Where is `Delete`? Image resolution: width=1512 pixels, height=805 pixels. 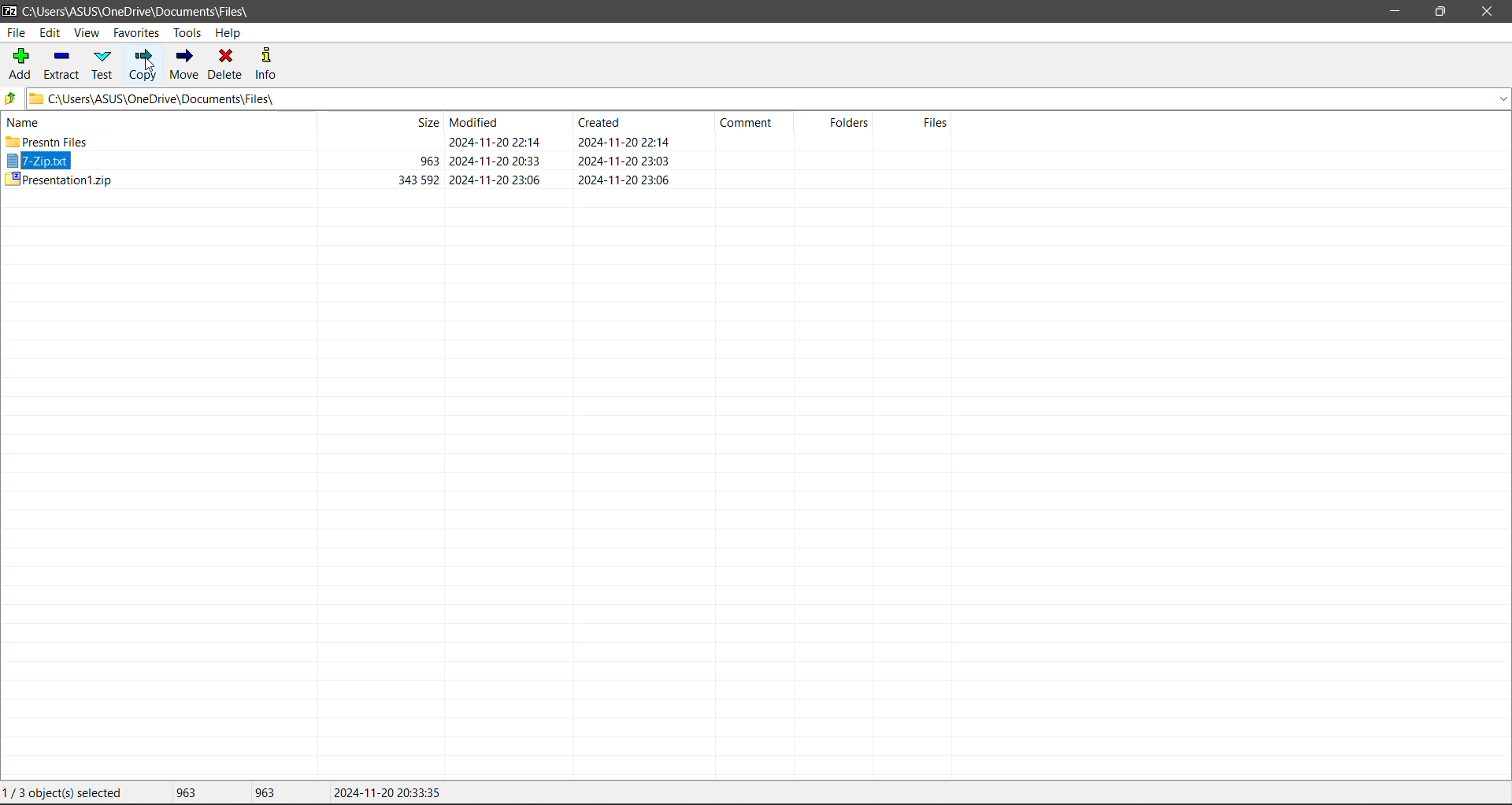
Delete is located at coordinates (227, 63).